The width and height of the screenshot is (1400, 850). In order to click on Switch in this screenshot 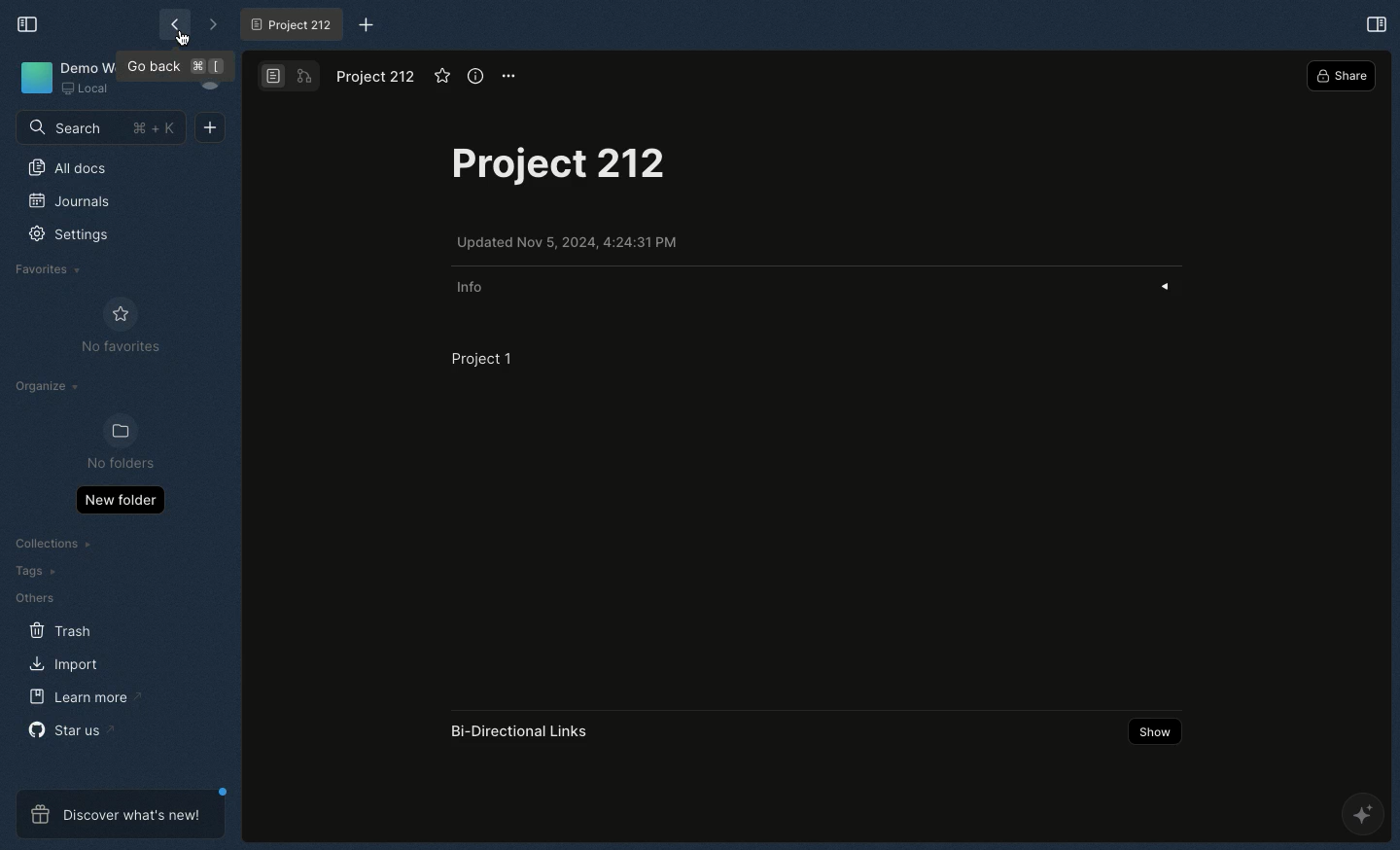, I will do `click(291, 77)`.